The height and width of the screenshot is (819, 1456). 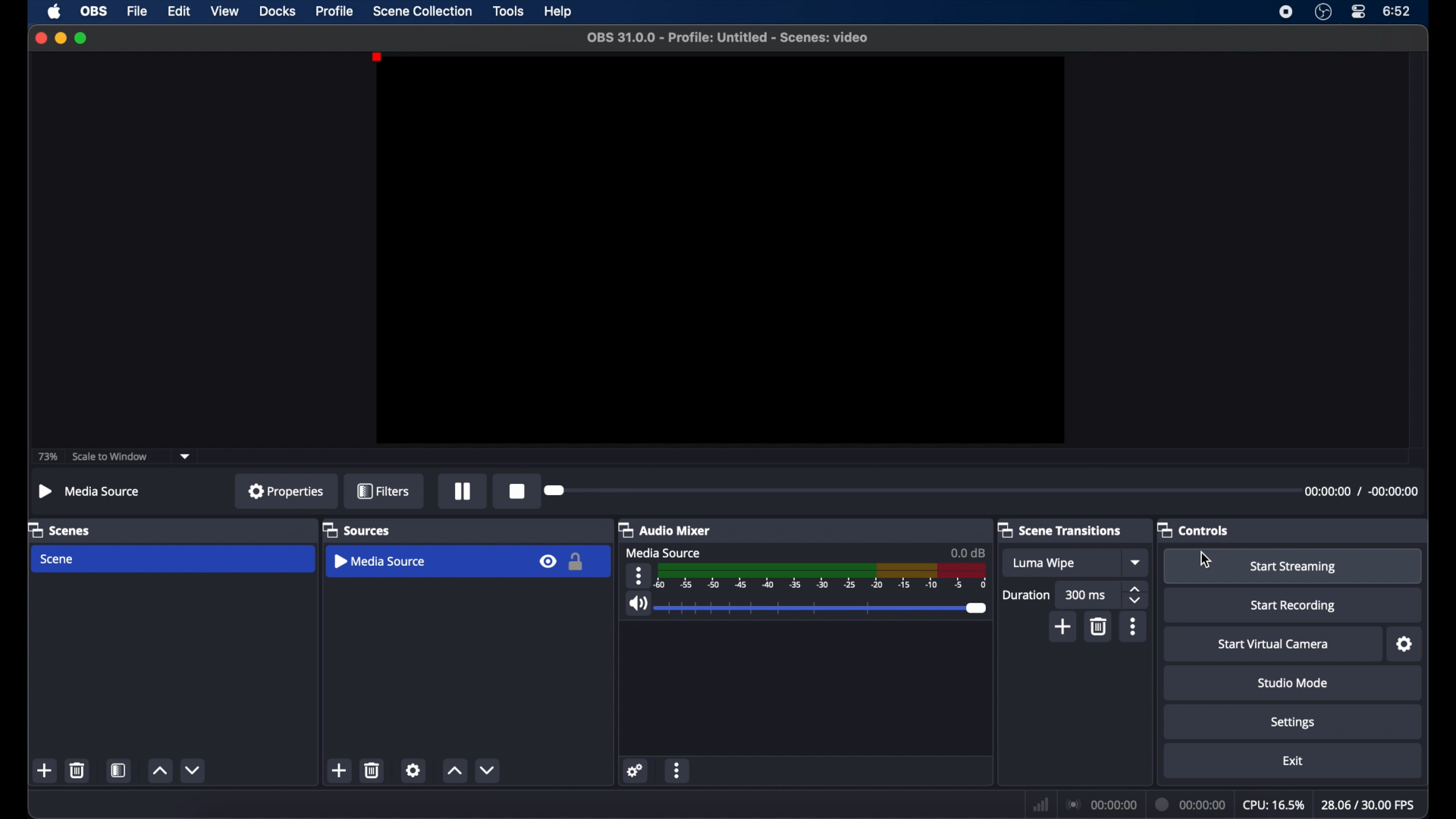 I want to click on delete, so click(x=1097, y=627).